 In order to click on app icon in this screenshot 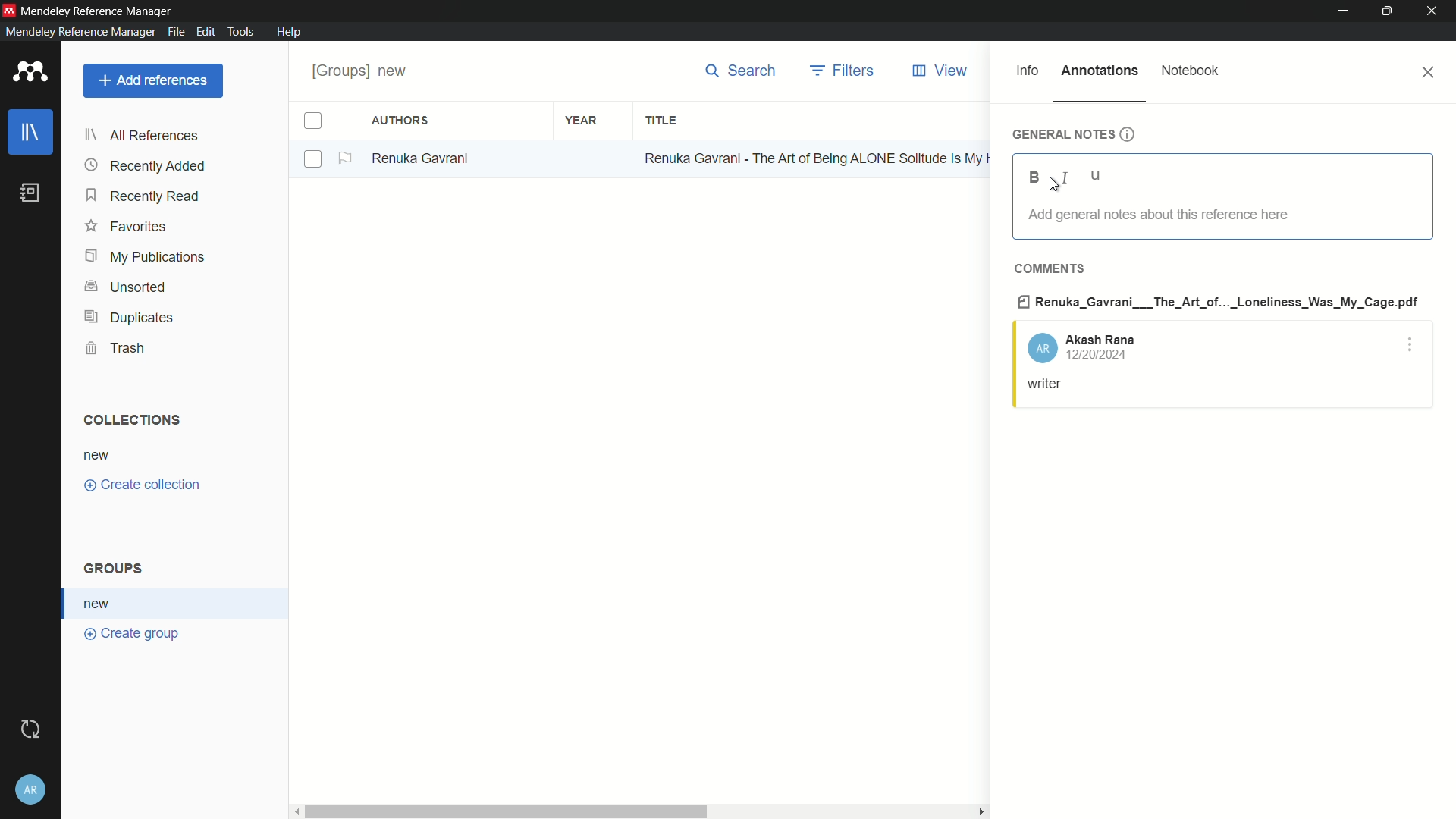, I will do `click(9, 9)`.